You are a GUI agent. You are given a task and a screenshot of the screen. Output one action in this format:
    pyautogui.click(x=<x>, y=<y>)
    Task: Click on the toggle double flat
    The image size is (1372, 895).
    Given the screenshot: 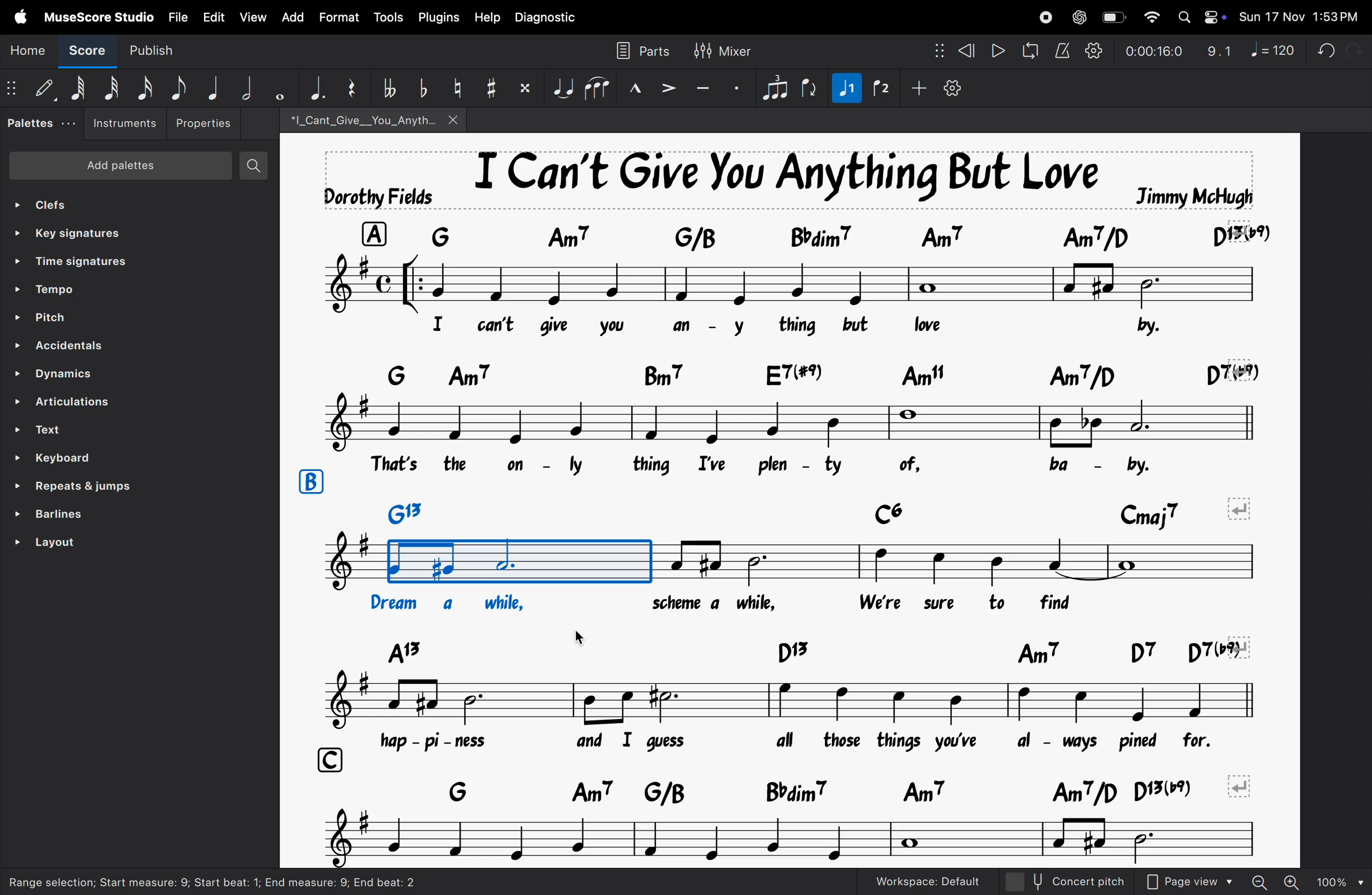 What is the action you would take?
    pyautogui.click(x=388, y=88)
    